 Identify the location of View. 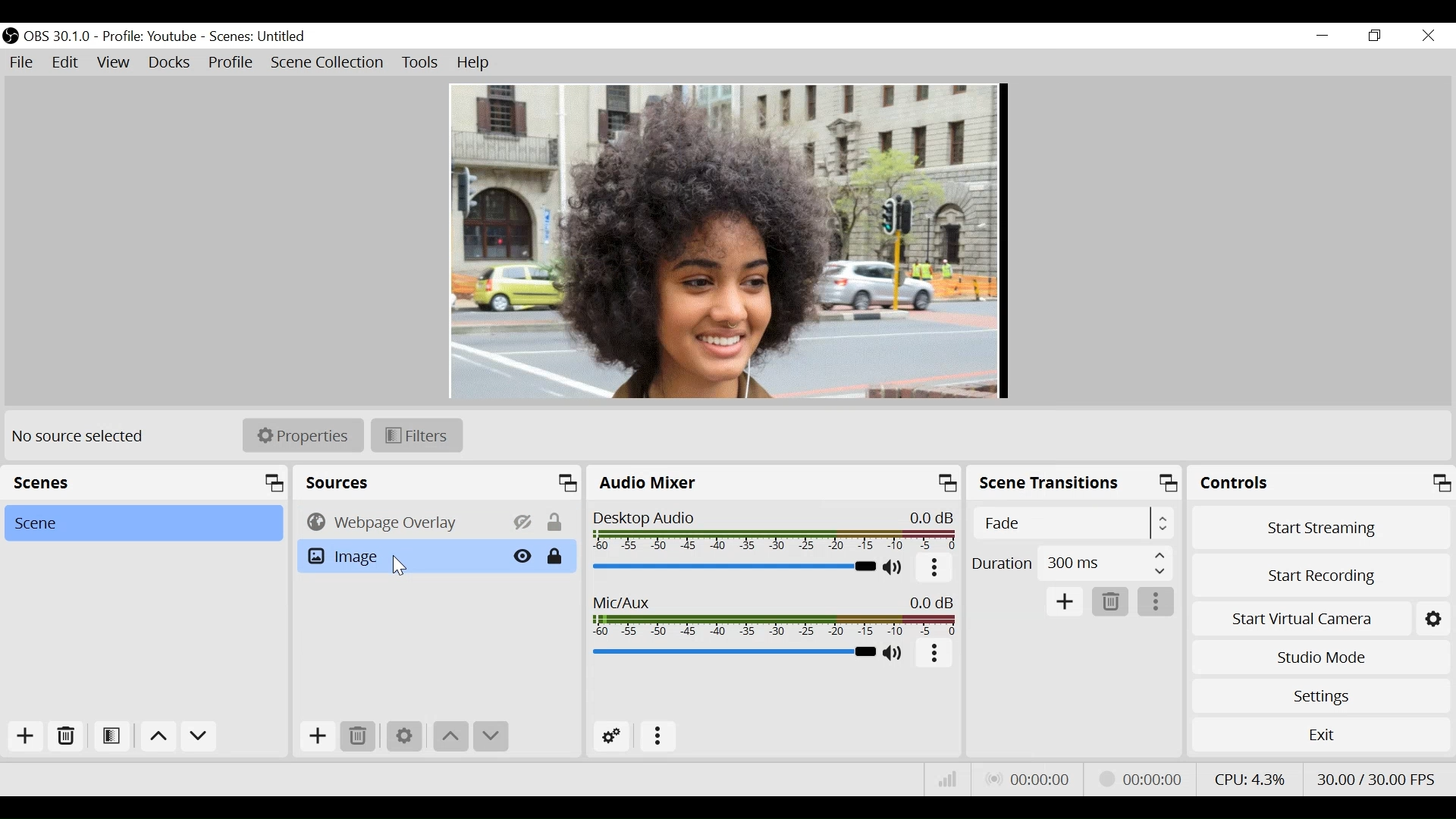
(113, 63).